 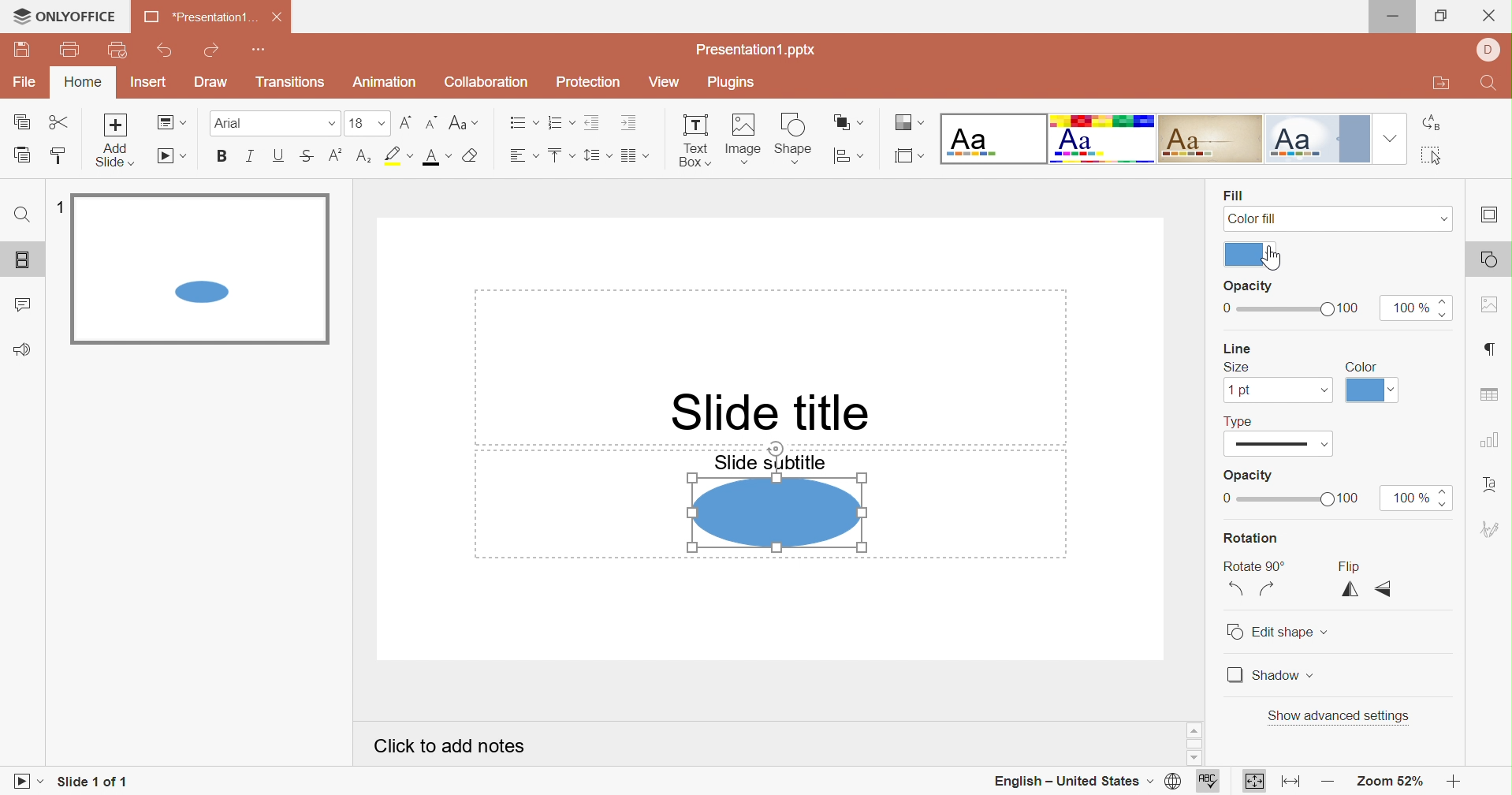 What do you see at coordinates (735, 82) in the screenshot?
I see `Plugins` at bounding box center [735, 82].